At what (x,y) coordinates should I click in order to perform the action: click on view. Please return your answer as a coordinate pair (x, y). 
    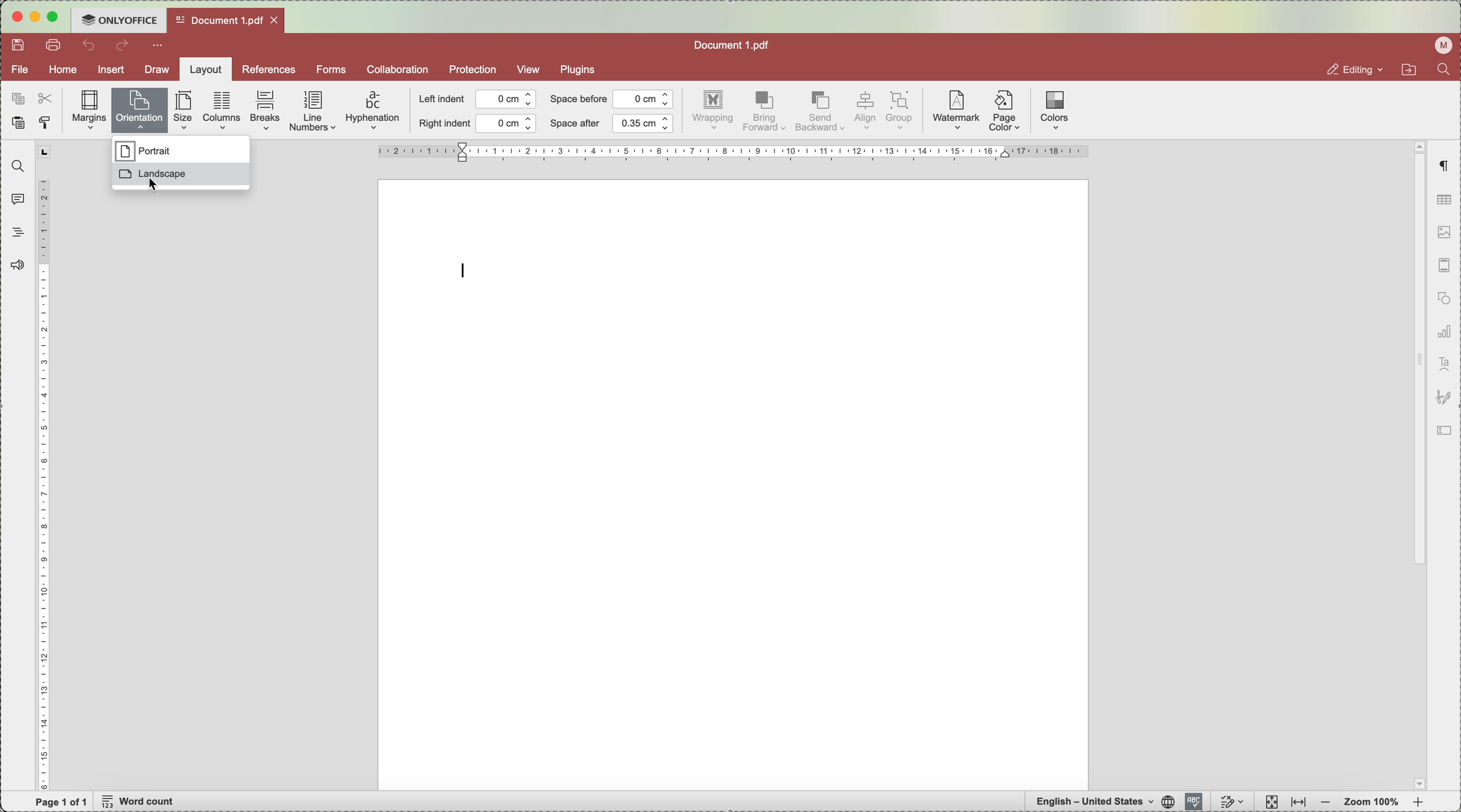
    Looking at the image, I should click on (529, 69).